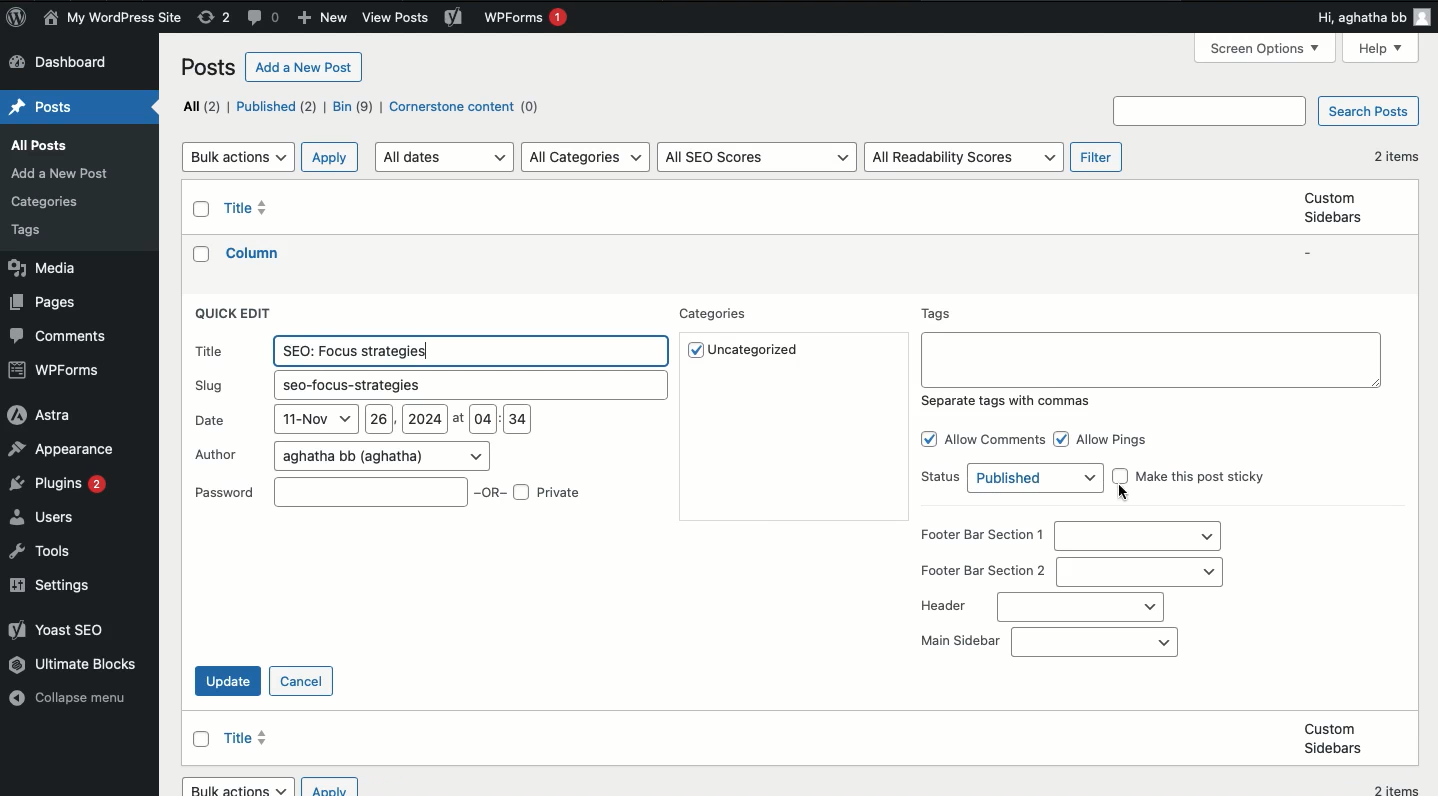  Describe the element at coordinates (74, 700) in the screenshot. I see `Collapse menu` at that location.